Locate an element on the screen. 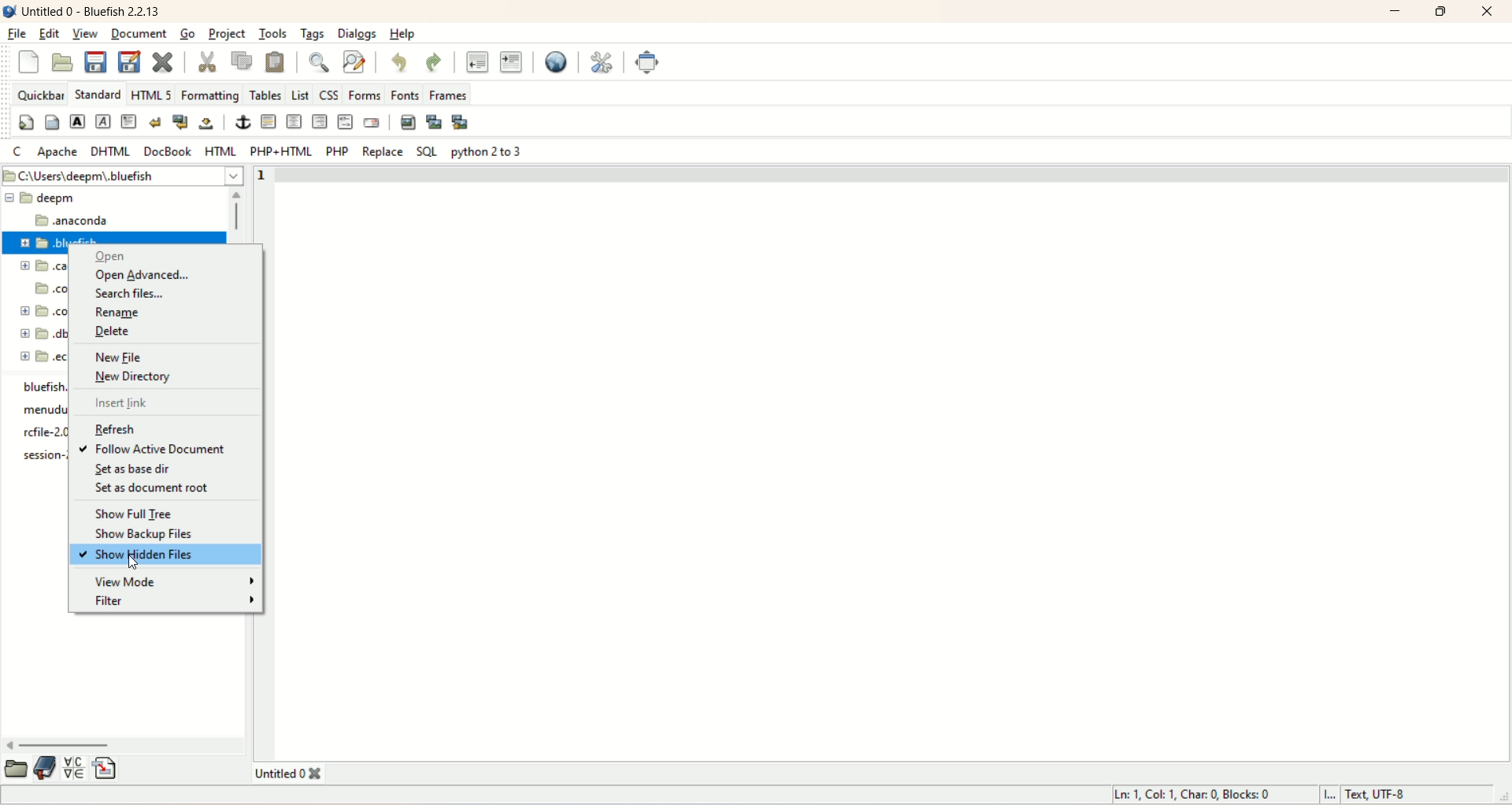 Image resolution: width=1512 pixels, height=805 pixels. set as base dir is located at coordinates (136, 469).